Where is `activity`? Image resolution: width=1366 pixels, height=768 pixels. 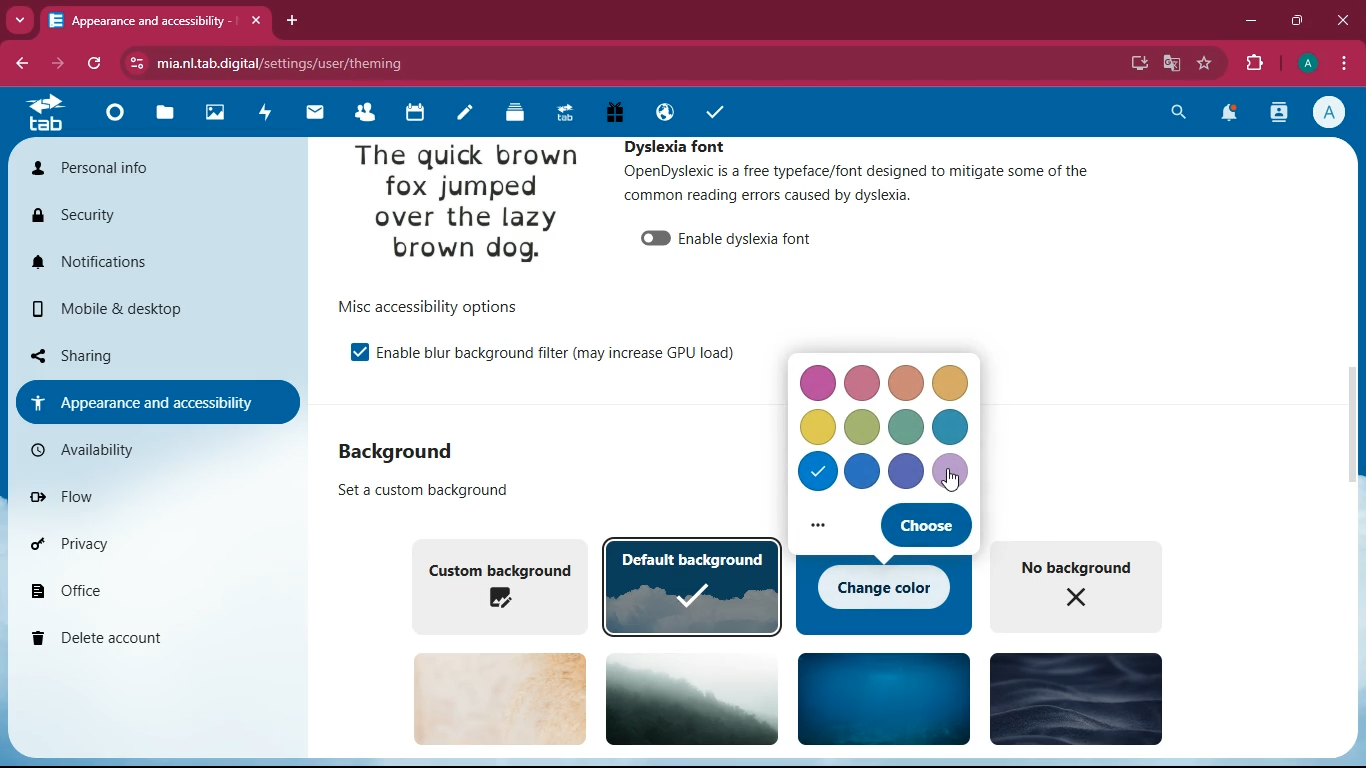
activity is located at coordinates (260, 114).